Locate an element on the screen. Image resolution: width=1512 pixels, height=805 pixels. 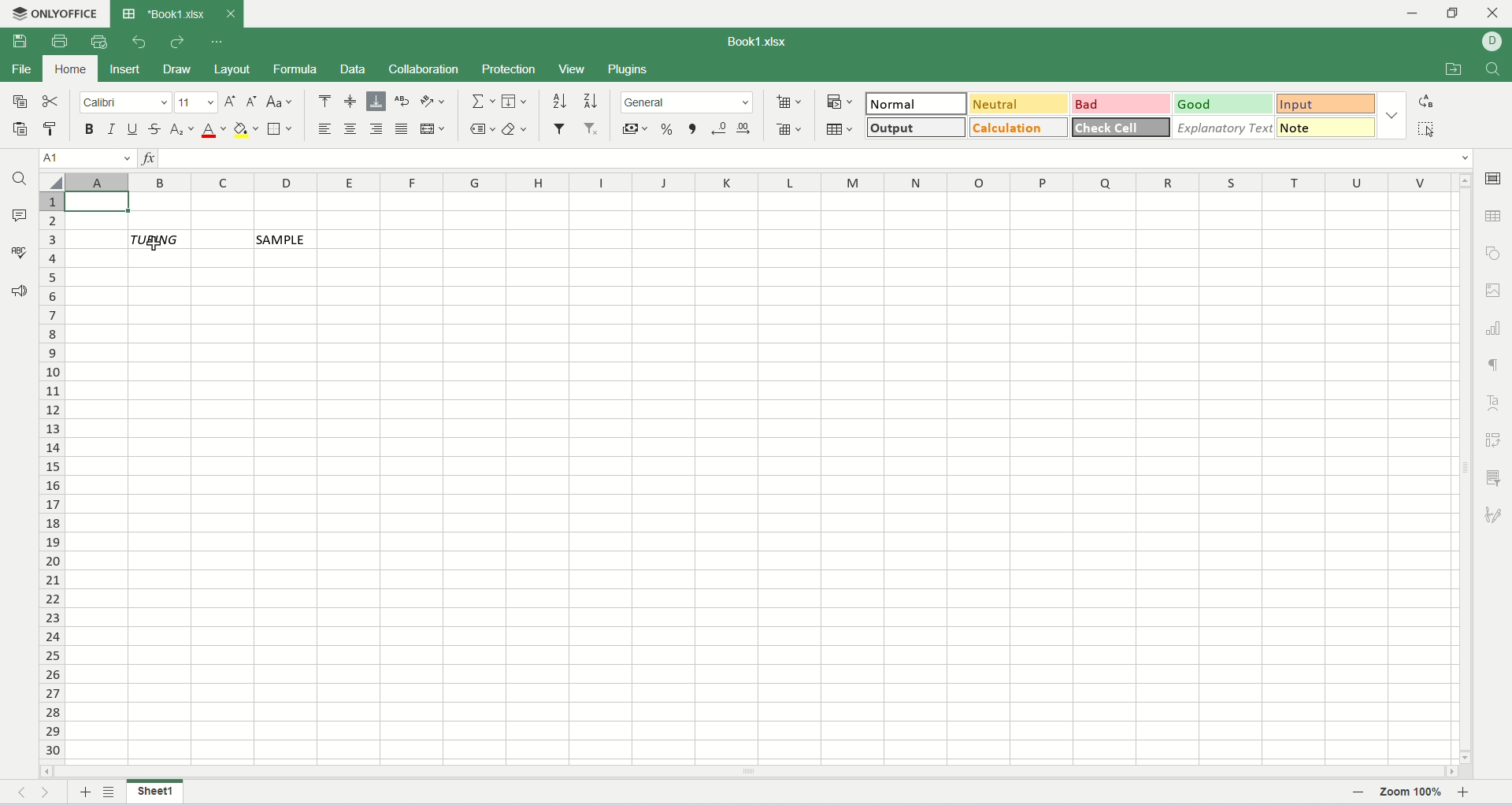
align center is located at coordinates (350, 128).